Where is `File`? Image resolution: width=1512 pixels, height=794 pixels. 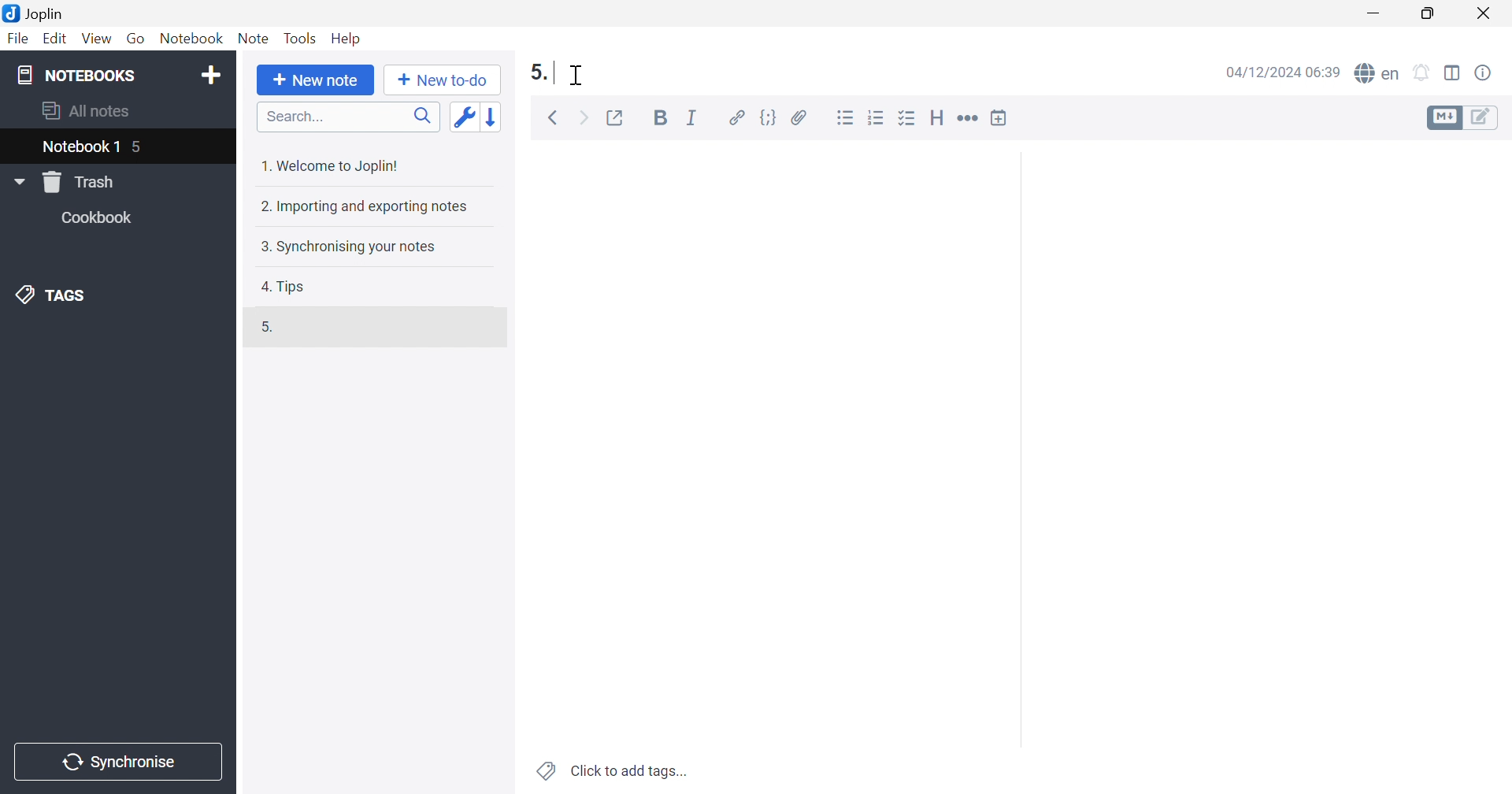 File is located at coordinates (20, 39).